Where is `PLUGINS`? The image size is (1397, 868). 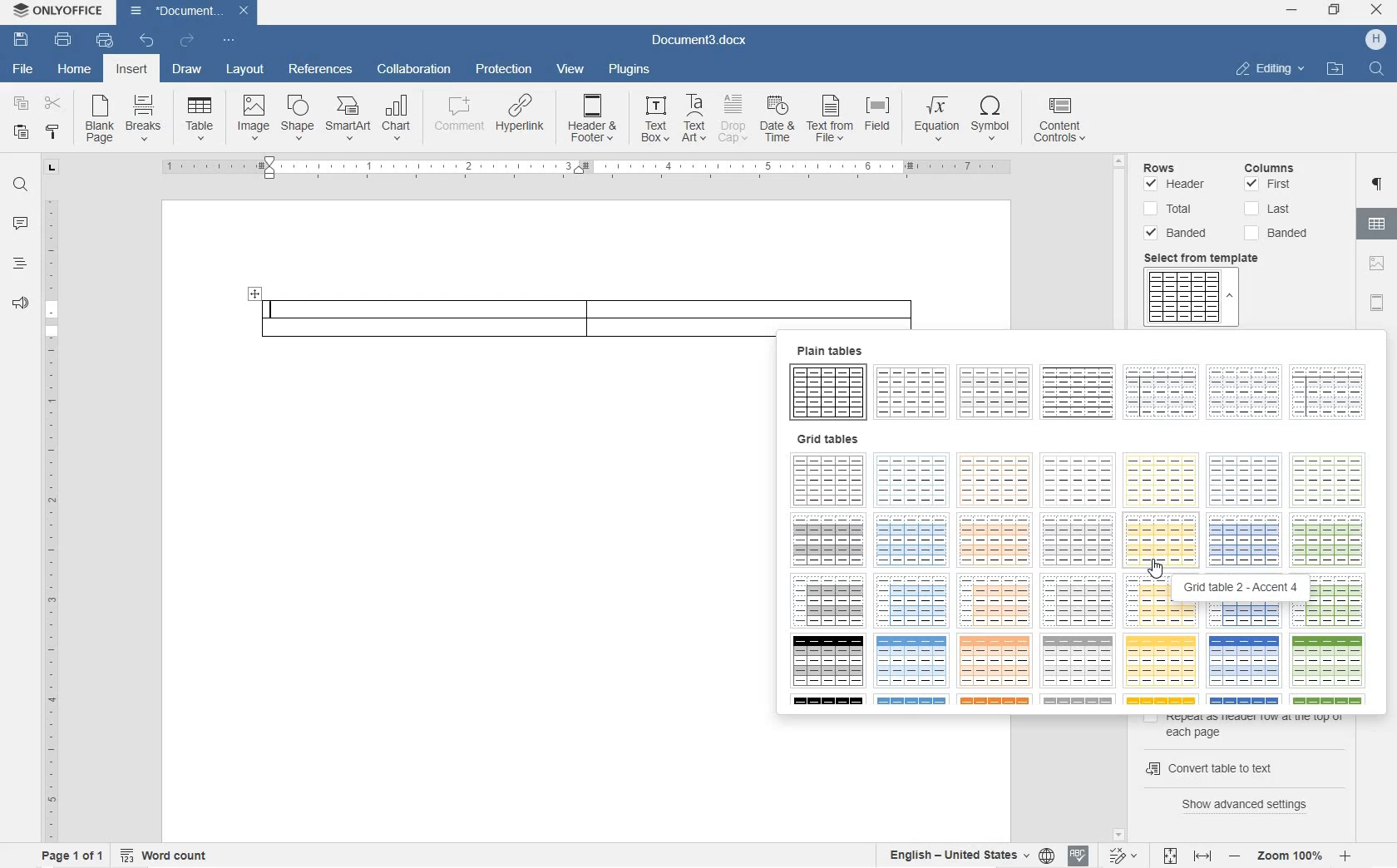 PLUGINS is located at coordinates (627, 69).